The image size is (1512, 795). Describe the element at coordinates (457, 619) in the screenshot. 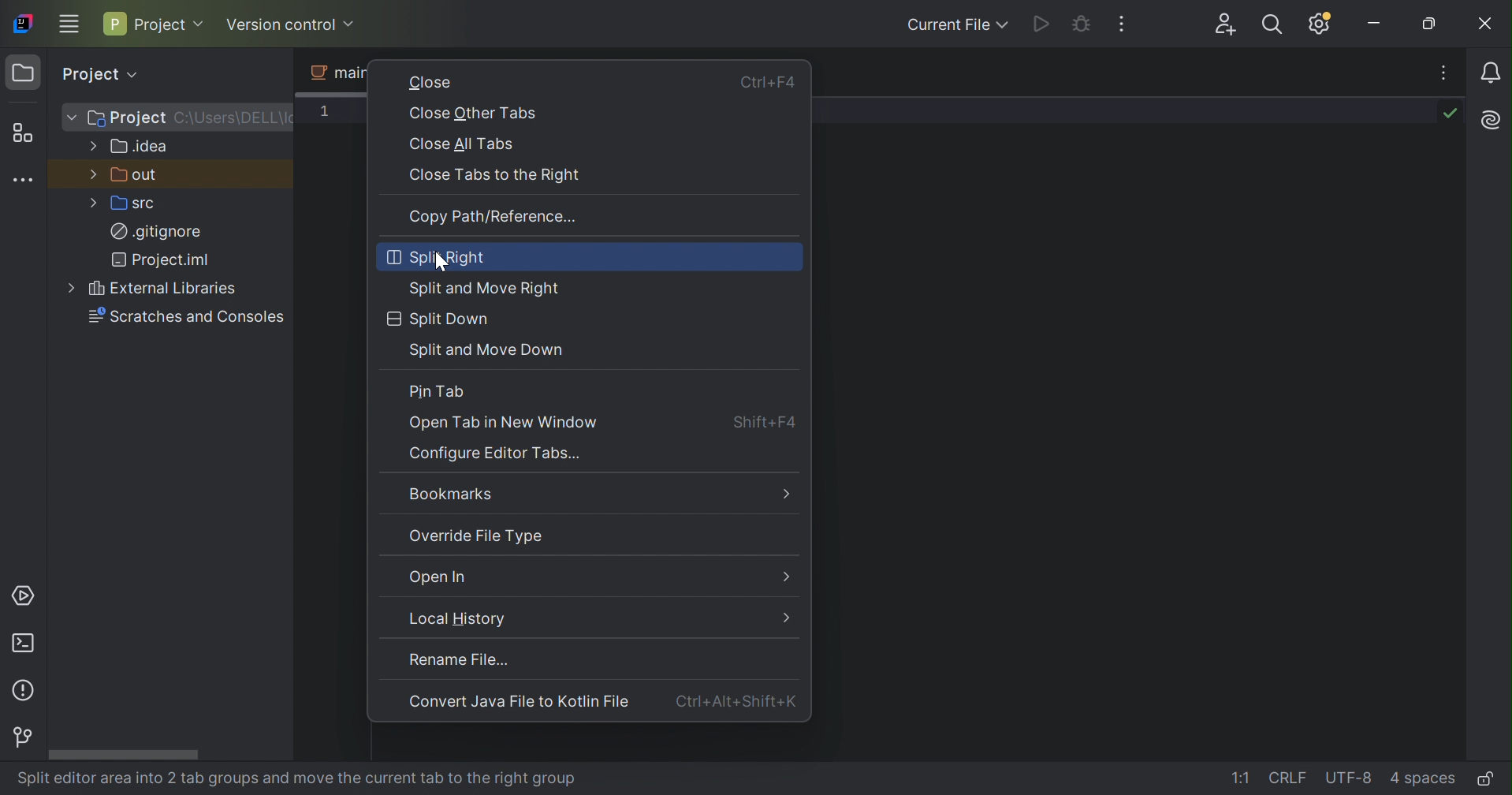

I see `Local history` at that location.